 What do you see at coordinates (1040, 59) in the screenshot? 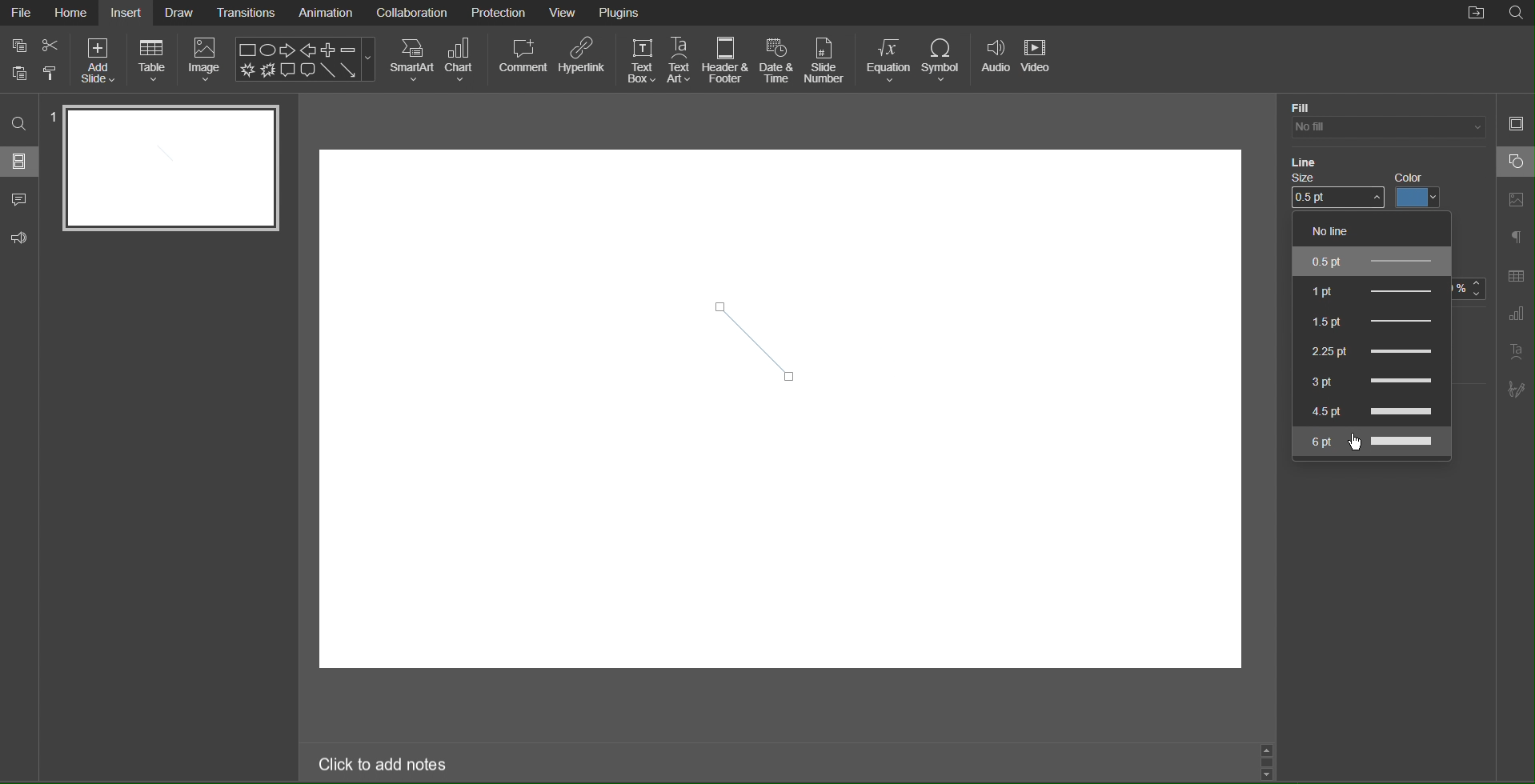
I see `Video` at bounding box center [1040, 59].